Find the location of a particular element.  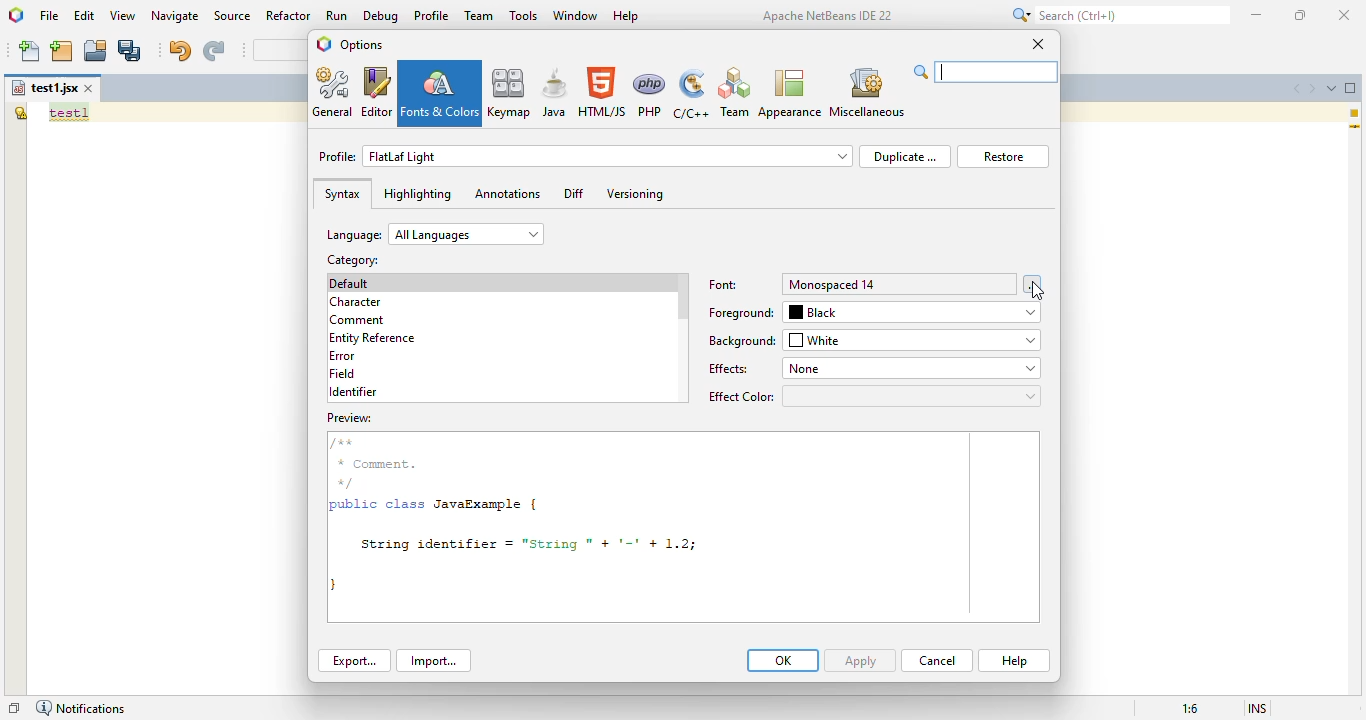

*/ is located at coordinates (348, 484).